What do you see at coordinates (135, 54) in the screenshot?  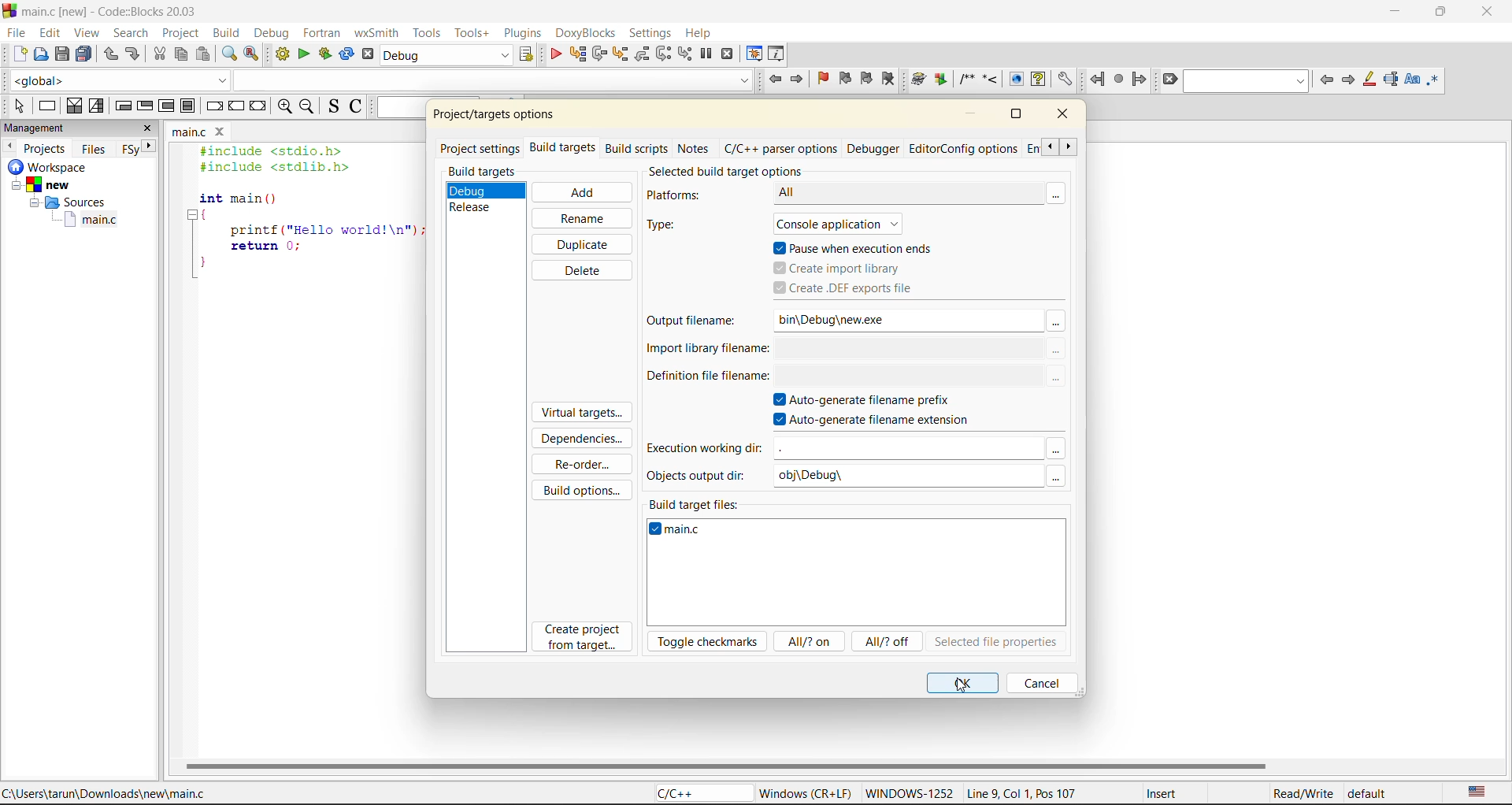 I see `redo` at bounding box center [135, 54].